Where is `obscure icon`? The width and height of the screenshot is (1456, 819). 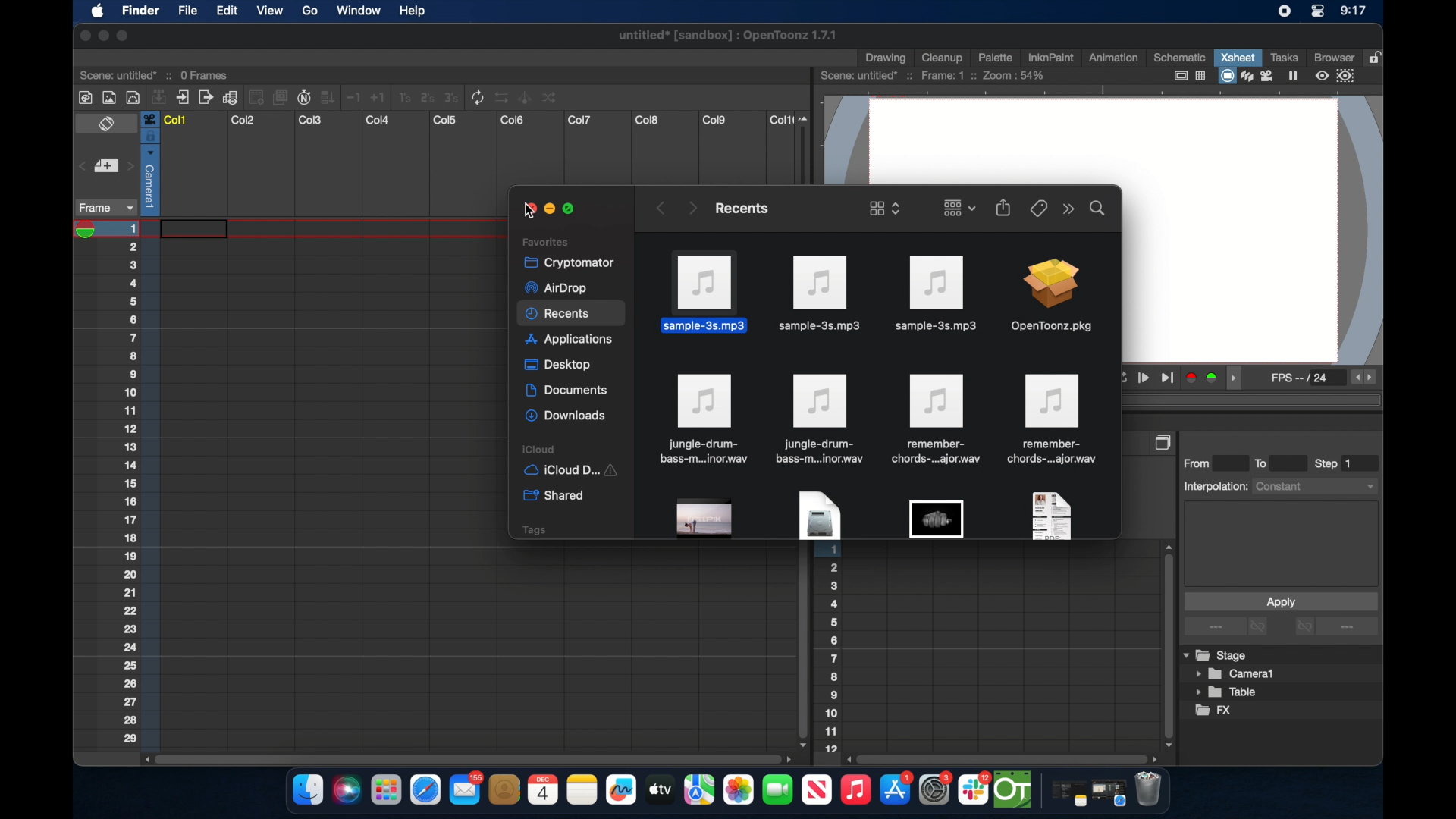
obscure icon is located at coordinates (705, 519).